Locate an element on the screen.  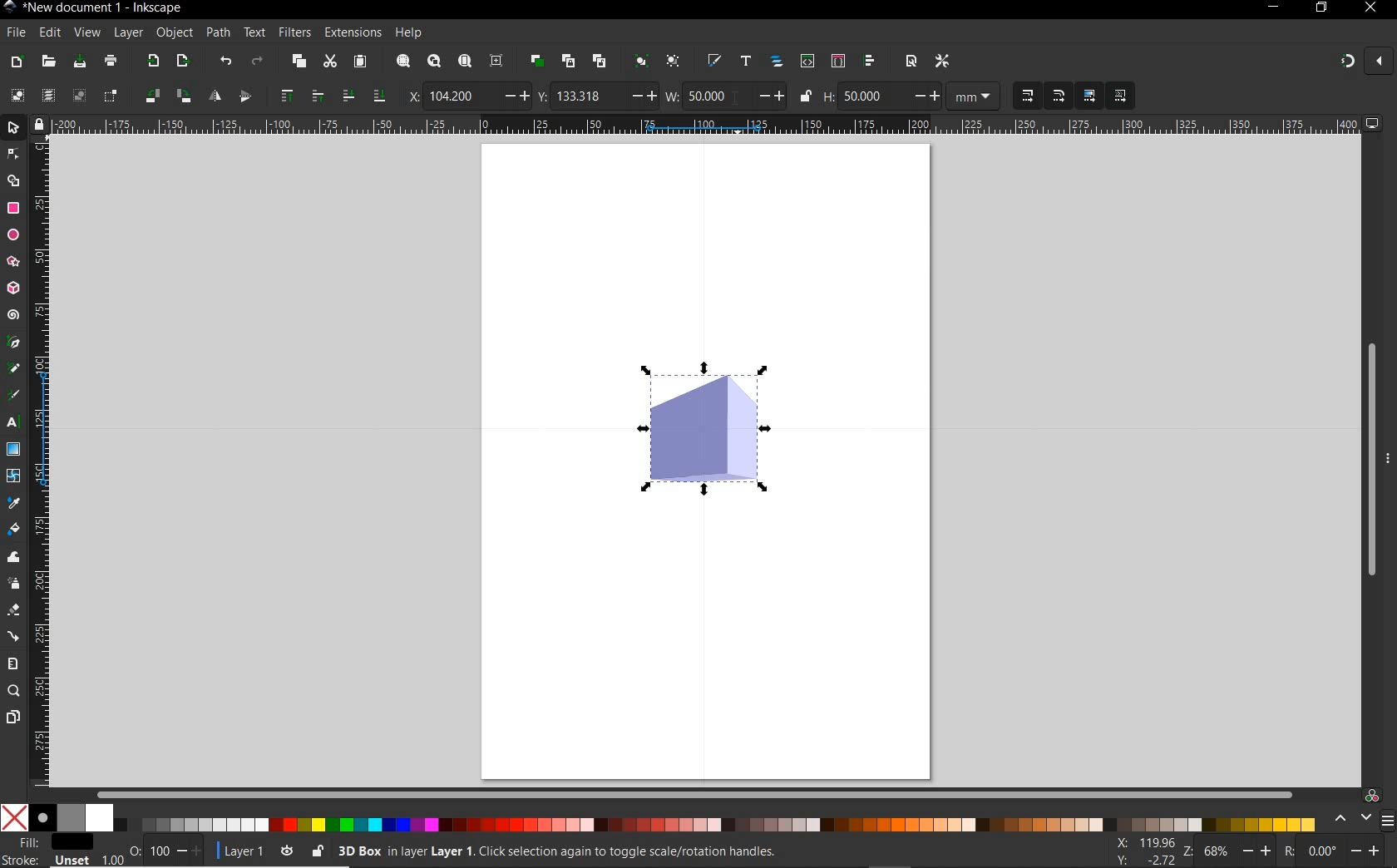
open preferences is located at coordinates (946, 62).